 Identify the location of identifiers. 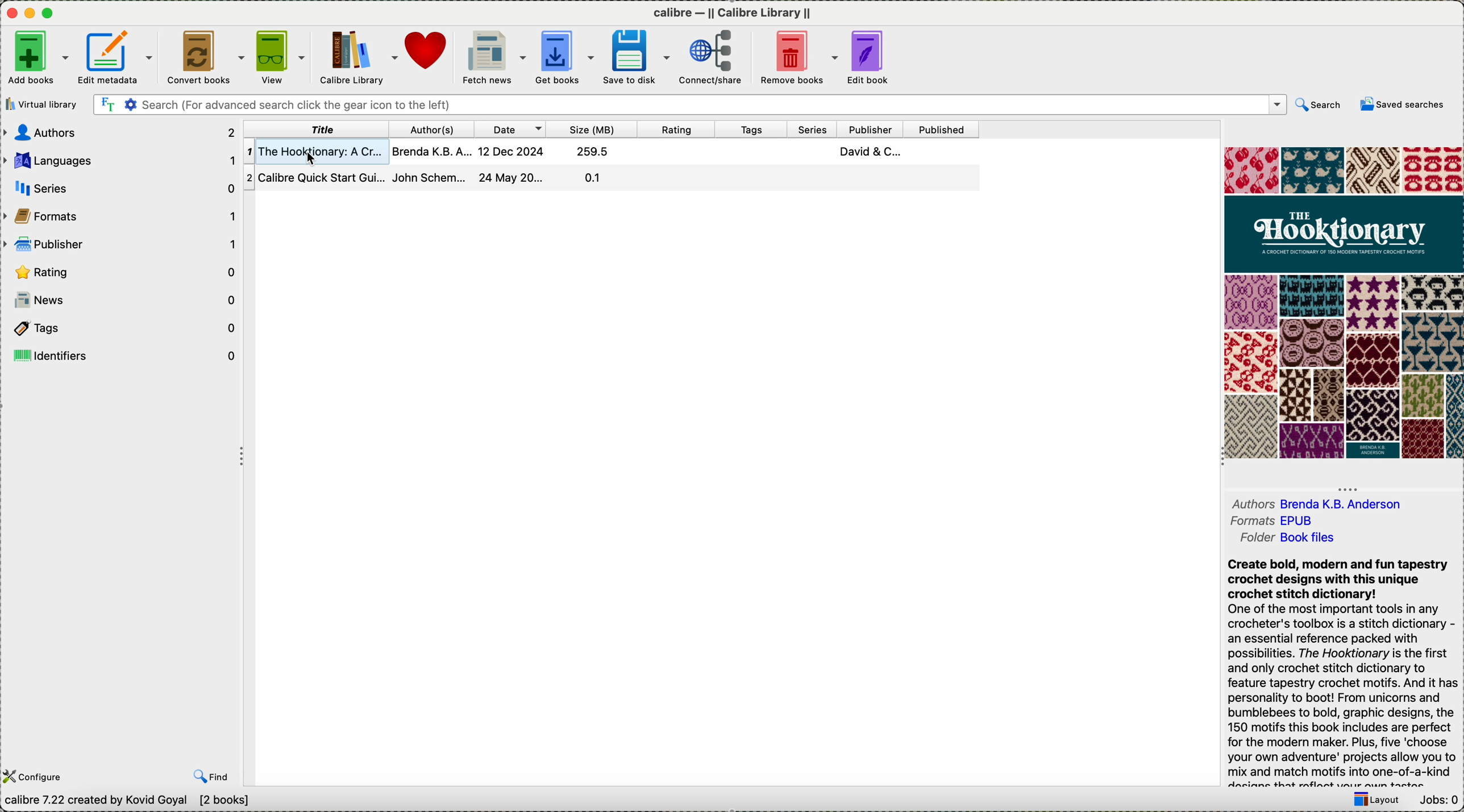
(122, 354).